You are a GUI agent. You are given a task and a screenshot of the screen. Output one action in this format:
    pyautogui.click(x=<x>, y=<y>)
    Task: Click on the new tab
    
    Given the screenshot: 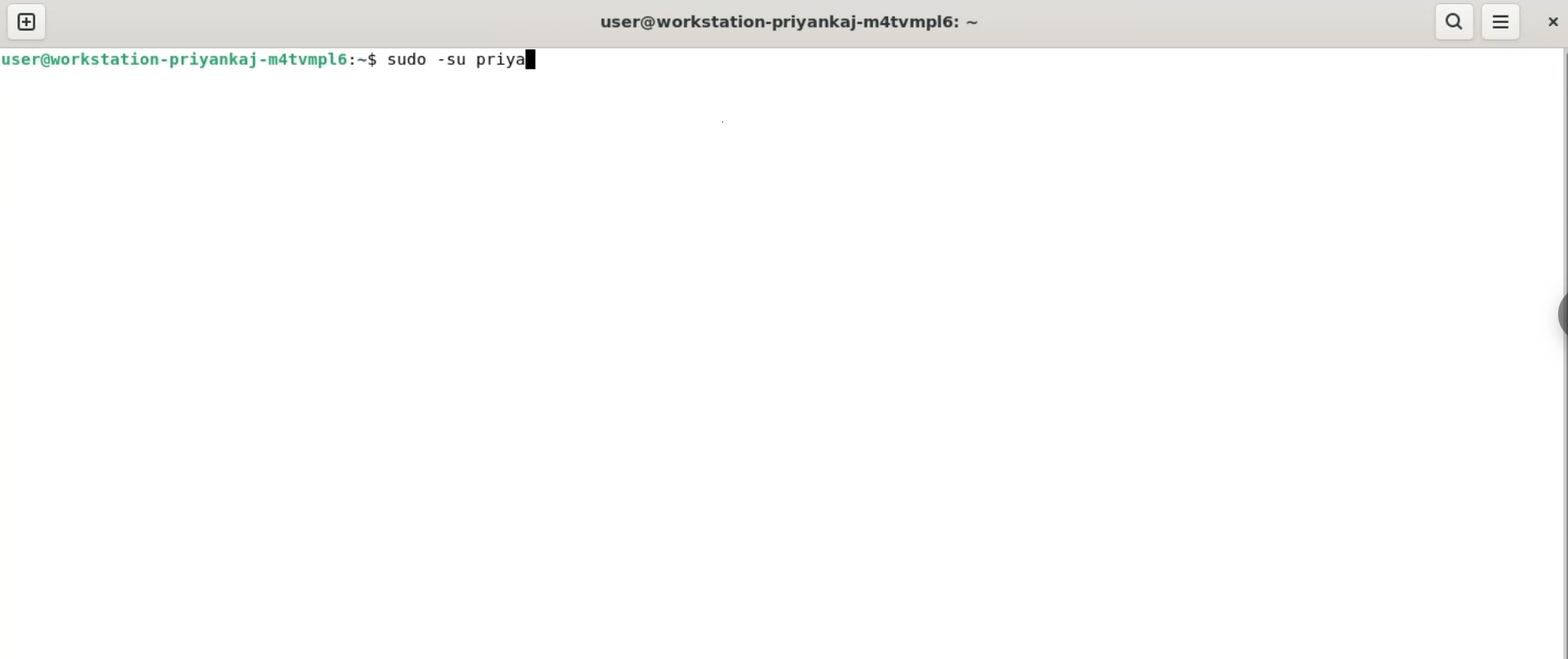 What is the action you would take?
    pyautogui.click(x=25, y=21)
    